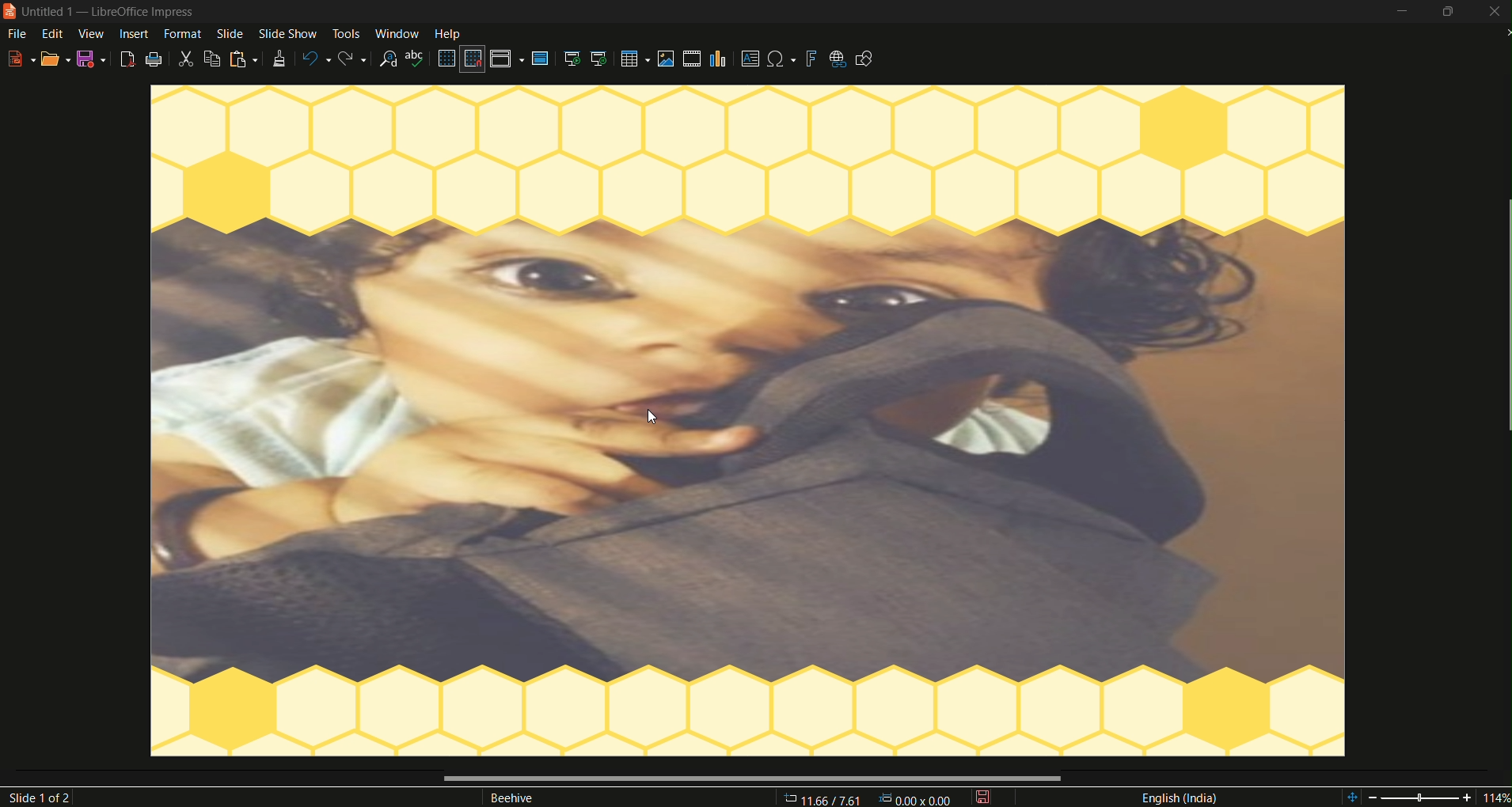  I want to click on spelling, so click(417, 59).